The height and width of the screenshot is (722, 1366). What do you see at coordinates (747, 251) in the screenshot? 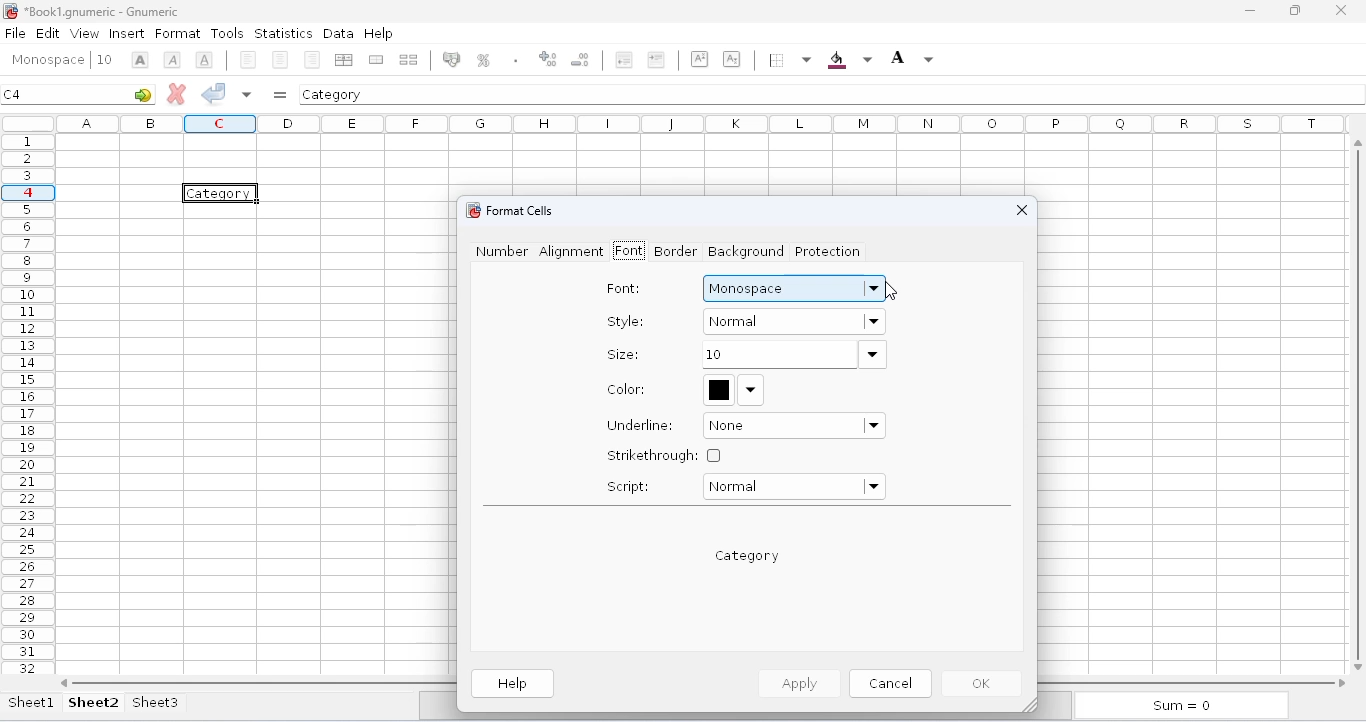
I see `background` at bounding box center [747, 251].